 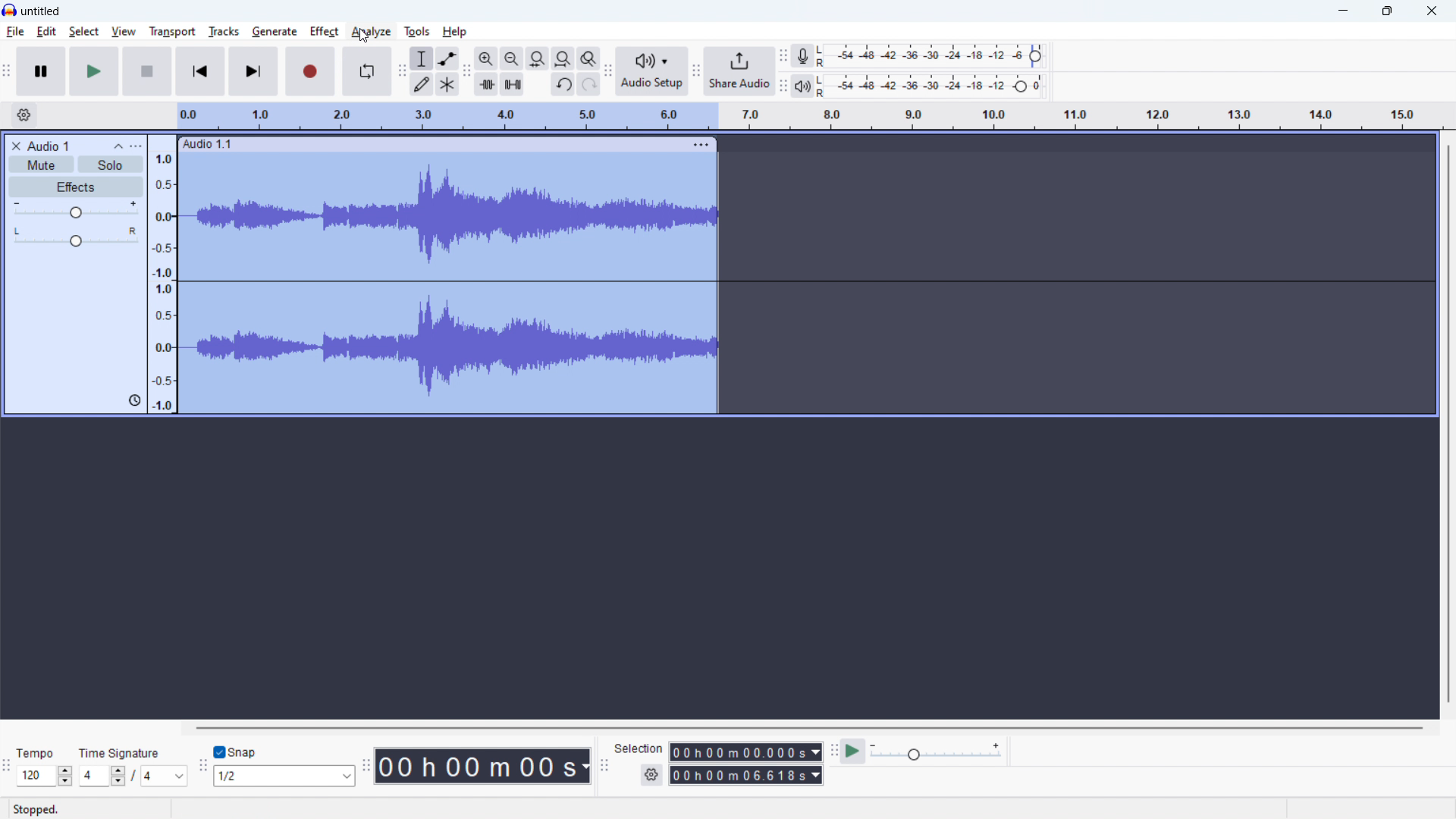 What do you see at coordinates (41, 809) in the screenshot?
I see `Stopped` at bounding box center [41, 809].